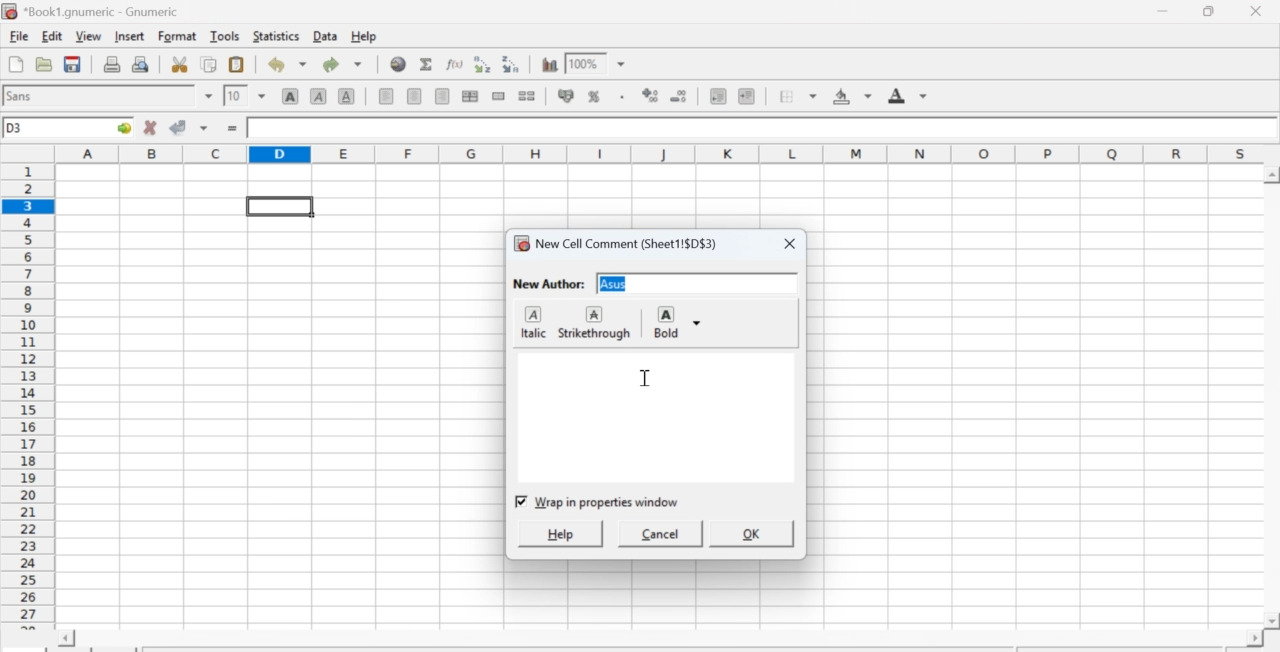 This screenshot has width=1280, height=652. I want to click on Data, so click(326, 36).